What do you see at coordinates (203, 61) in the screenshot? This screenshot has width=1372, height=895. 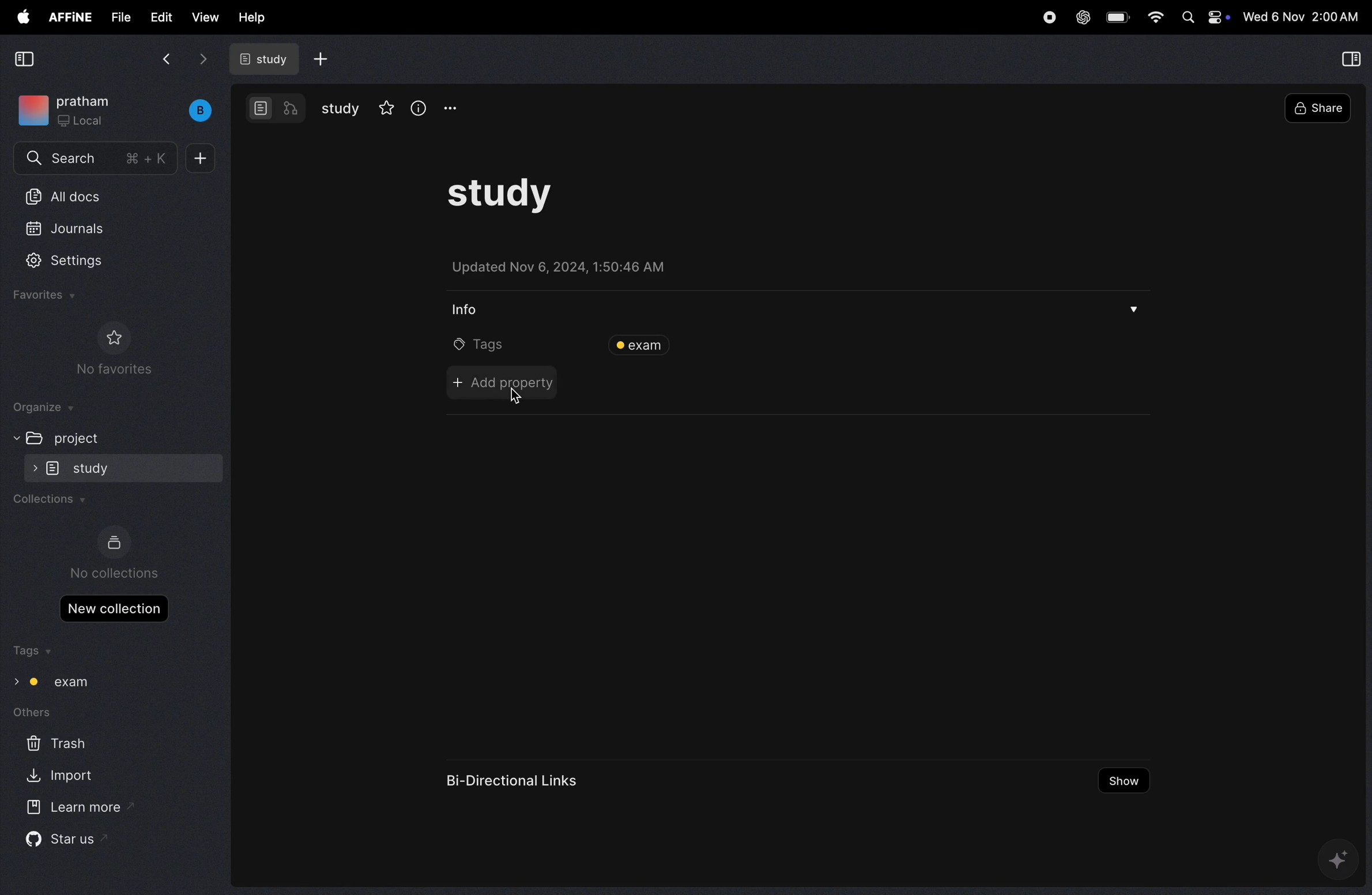 I see `forward` at bounding box center [203, 61].